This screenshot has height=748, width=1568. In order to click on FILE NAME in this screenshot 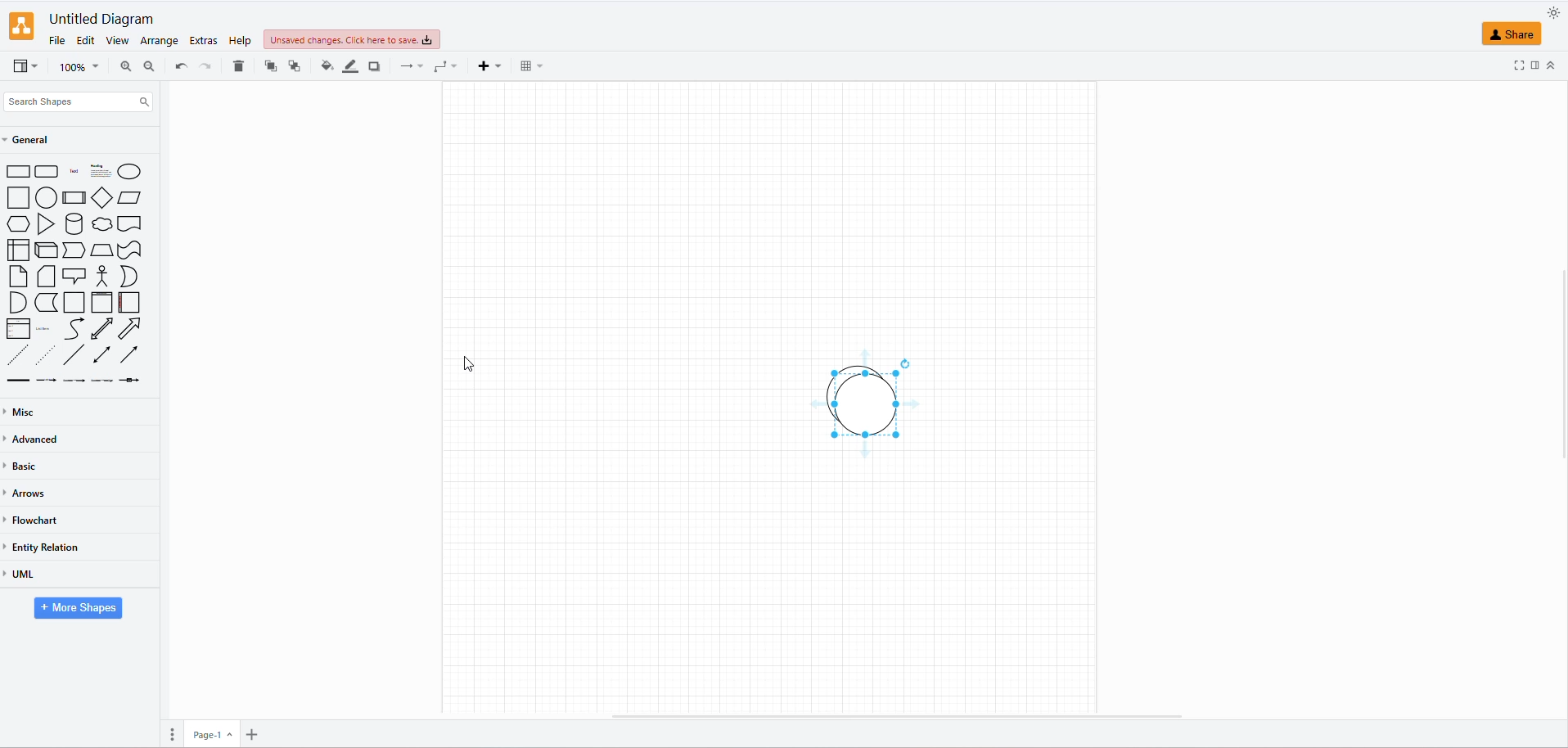, I will do `click(103, 19)`.